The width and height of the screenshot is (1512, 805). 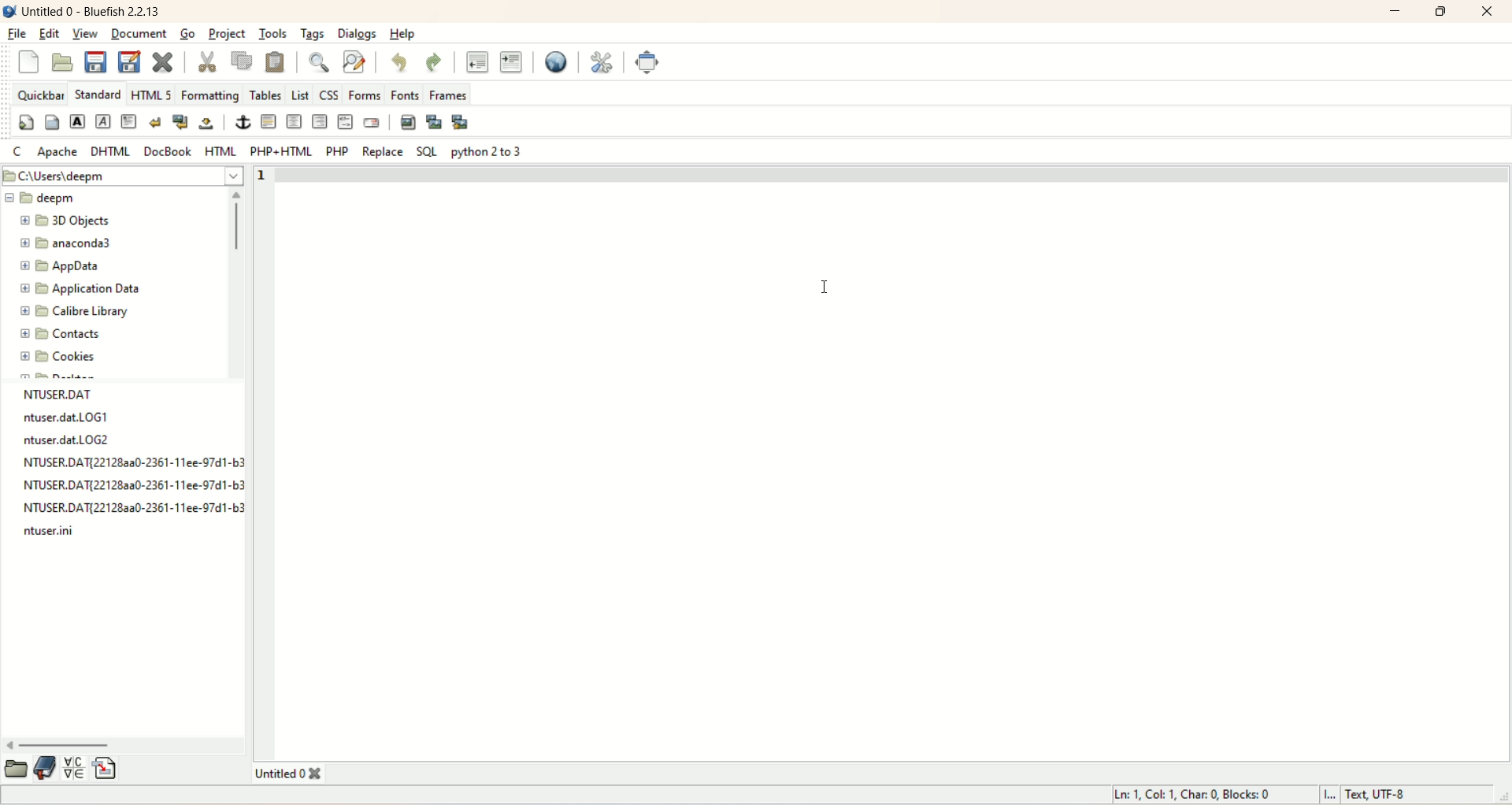 I want to click on maximize, so click(x=1443, y=12).